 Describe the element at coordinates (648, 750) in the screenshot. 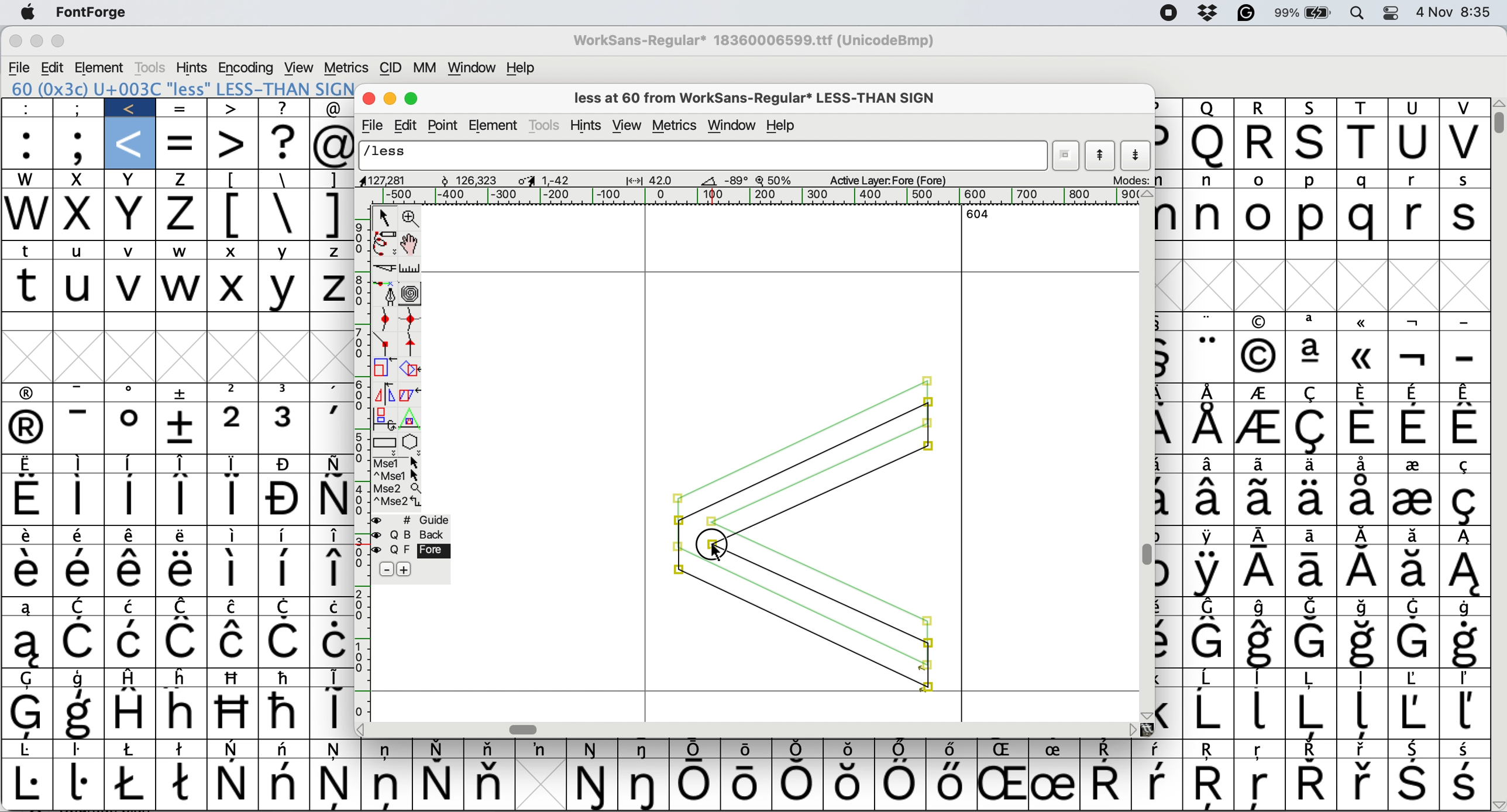

I see `Symbol` at that location.